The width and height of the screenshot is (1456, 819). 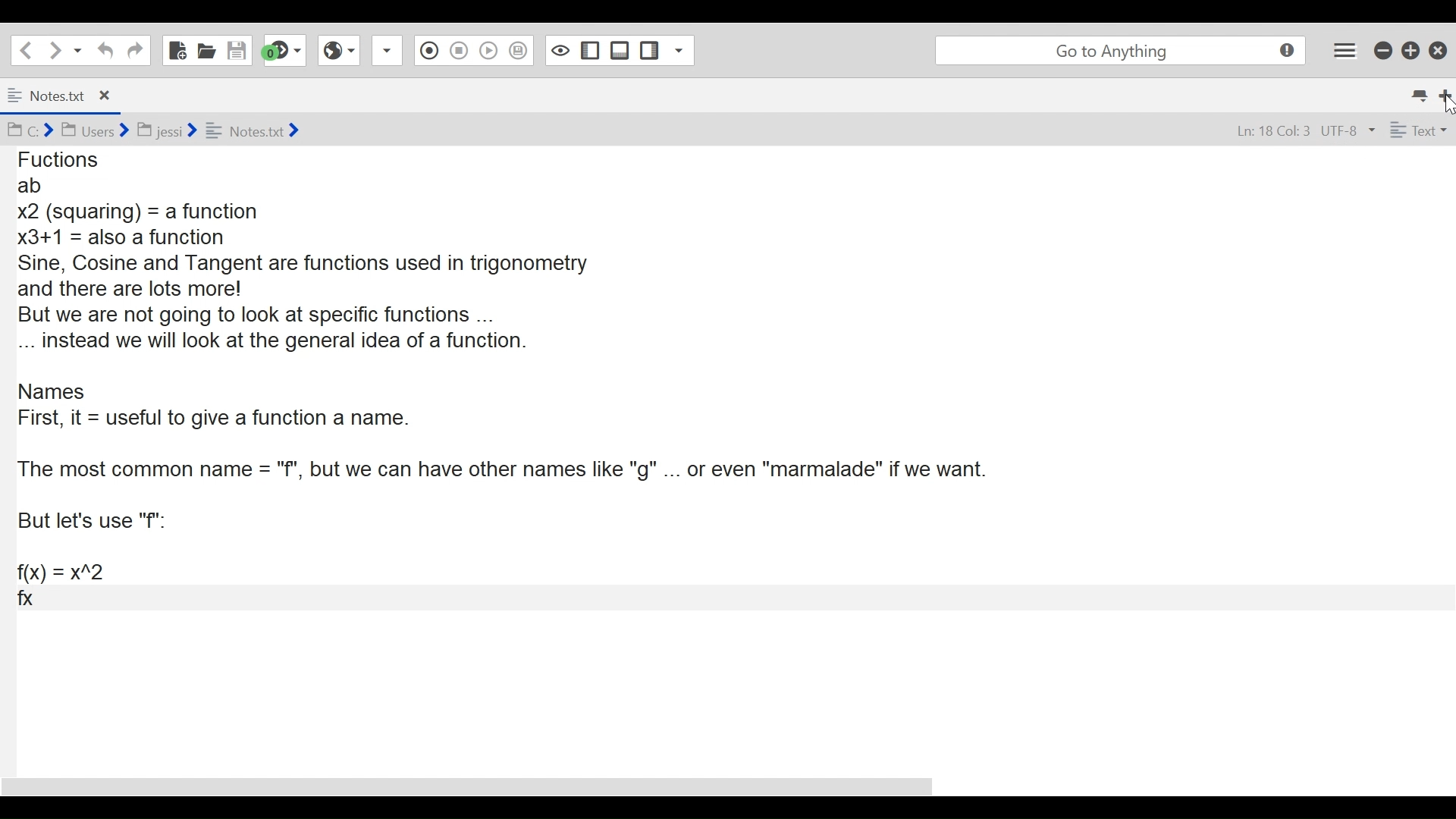 I want to click on Recent LOcations, so click(x=78, y=49).